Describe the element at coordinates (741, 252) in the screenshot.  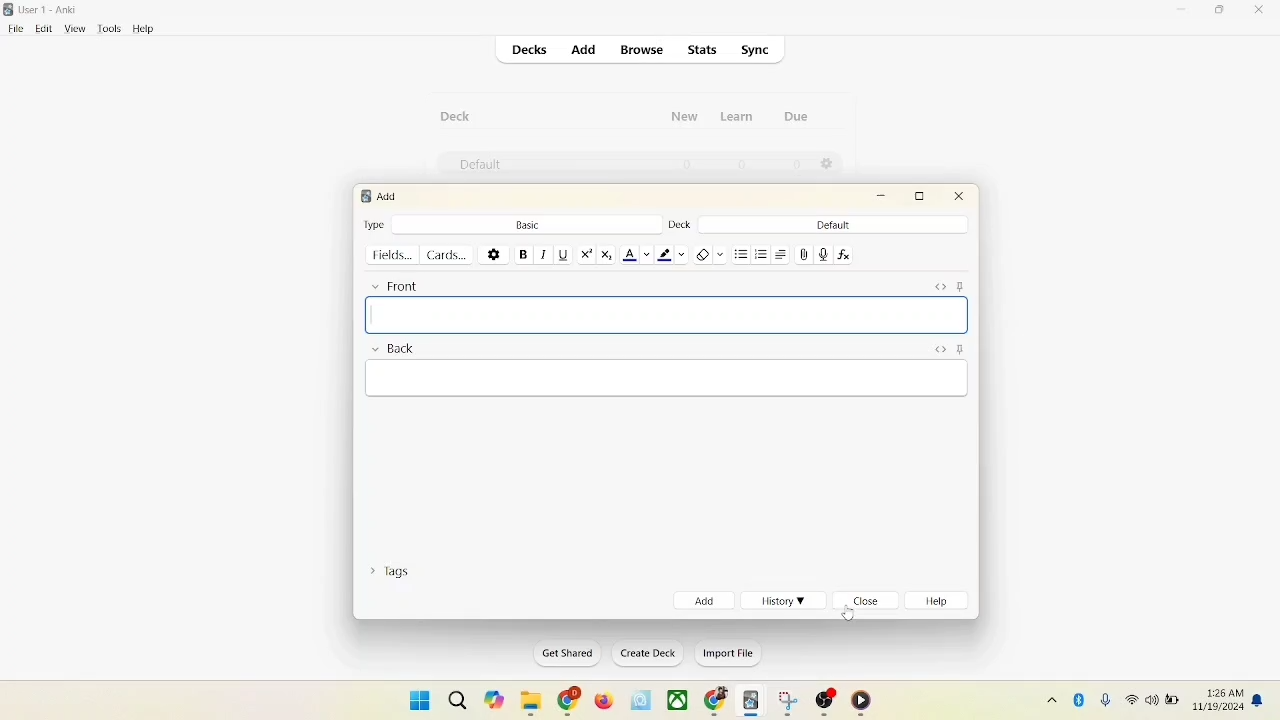
I see `unordered list` at that location.